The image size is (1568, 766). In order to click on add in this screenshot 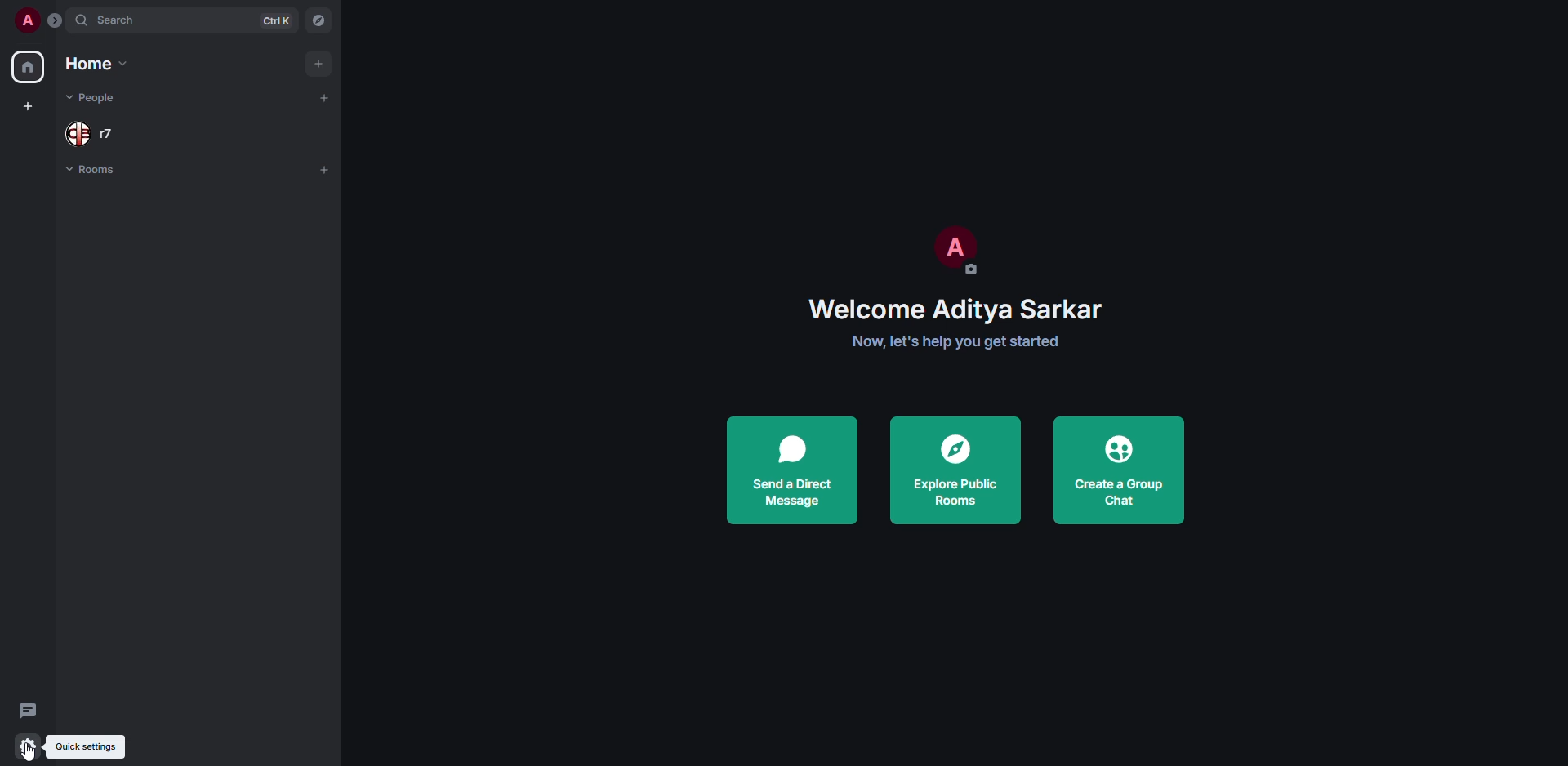, I will do `click(328, 97)`.